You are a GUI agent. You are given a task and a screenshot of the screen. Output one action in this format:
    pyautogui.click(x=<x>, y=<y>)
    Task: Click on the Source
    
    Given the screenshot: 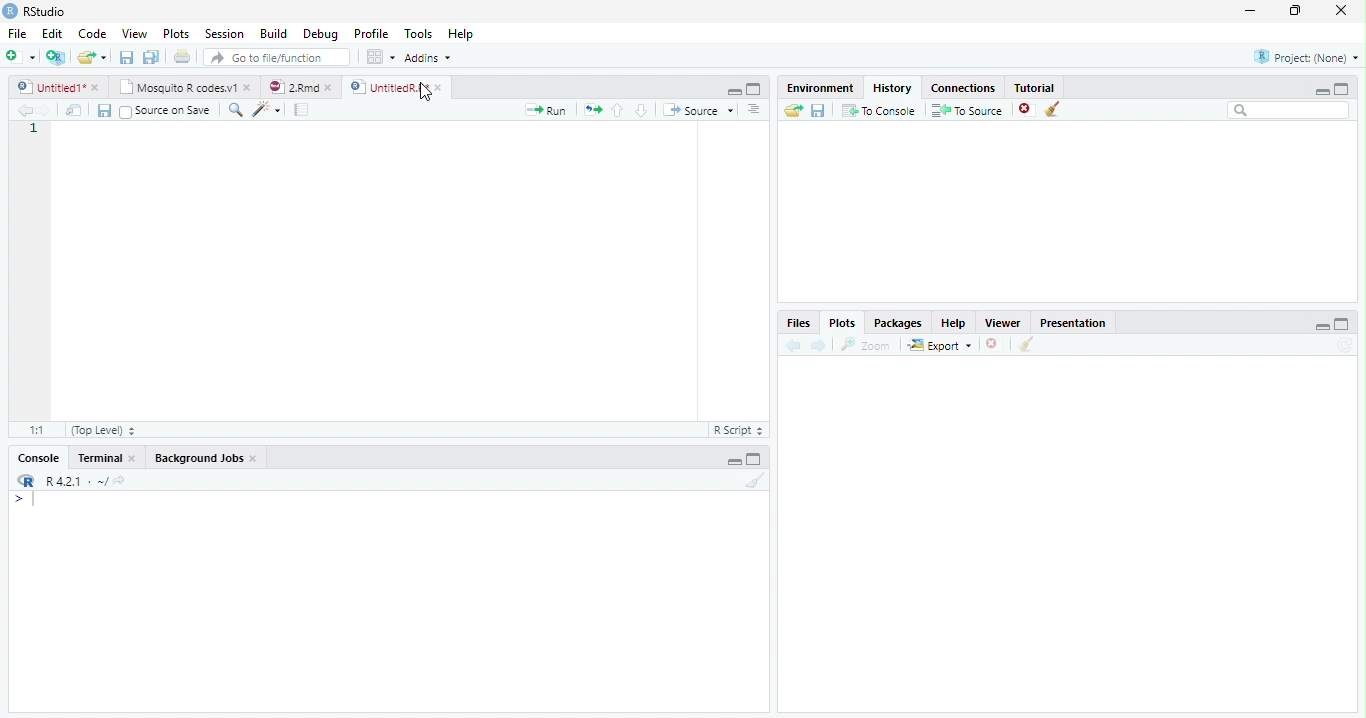 What is the action you would take?
    pyautogui.click(x=700, y=111)
    